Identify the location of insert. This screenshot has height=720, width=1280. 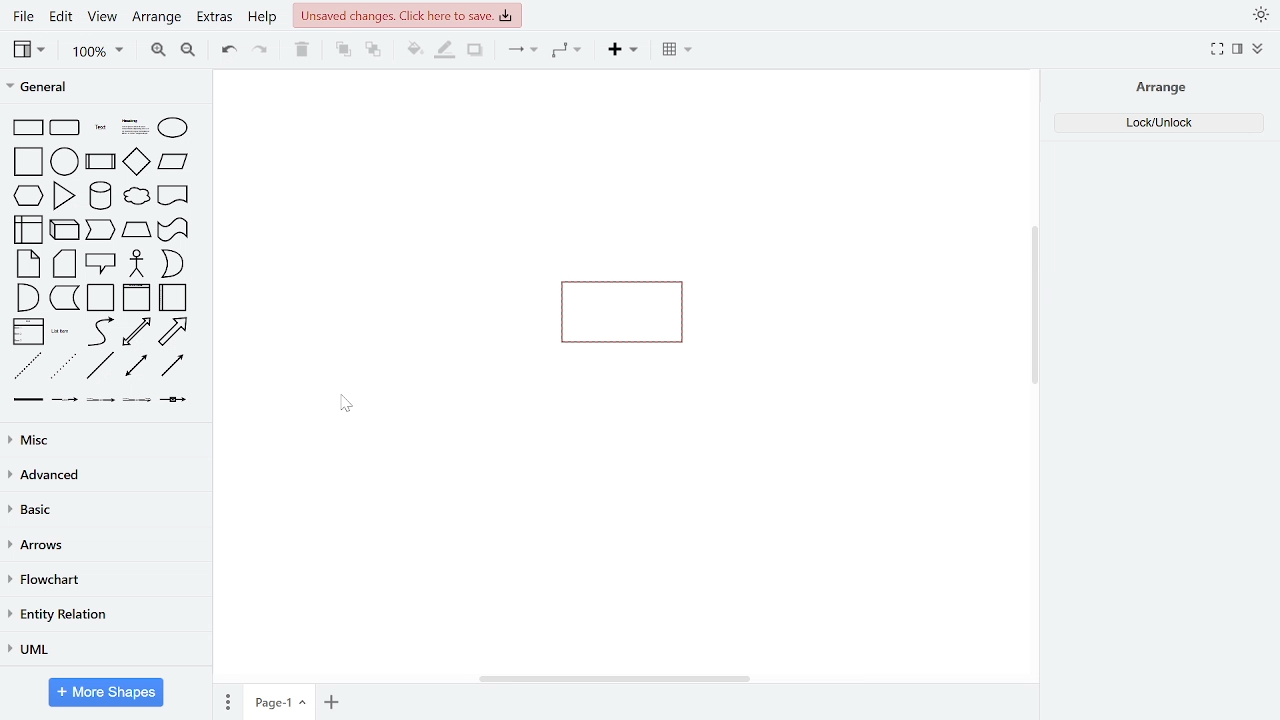
(678, 51).